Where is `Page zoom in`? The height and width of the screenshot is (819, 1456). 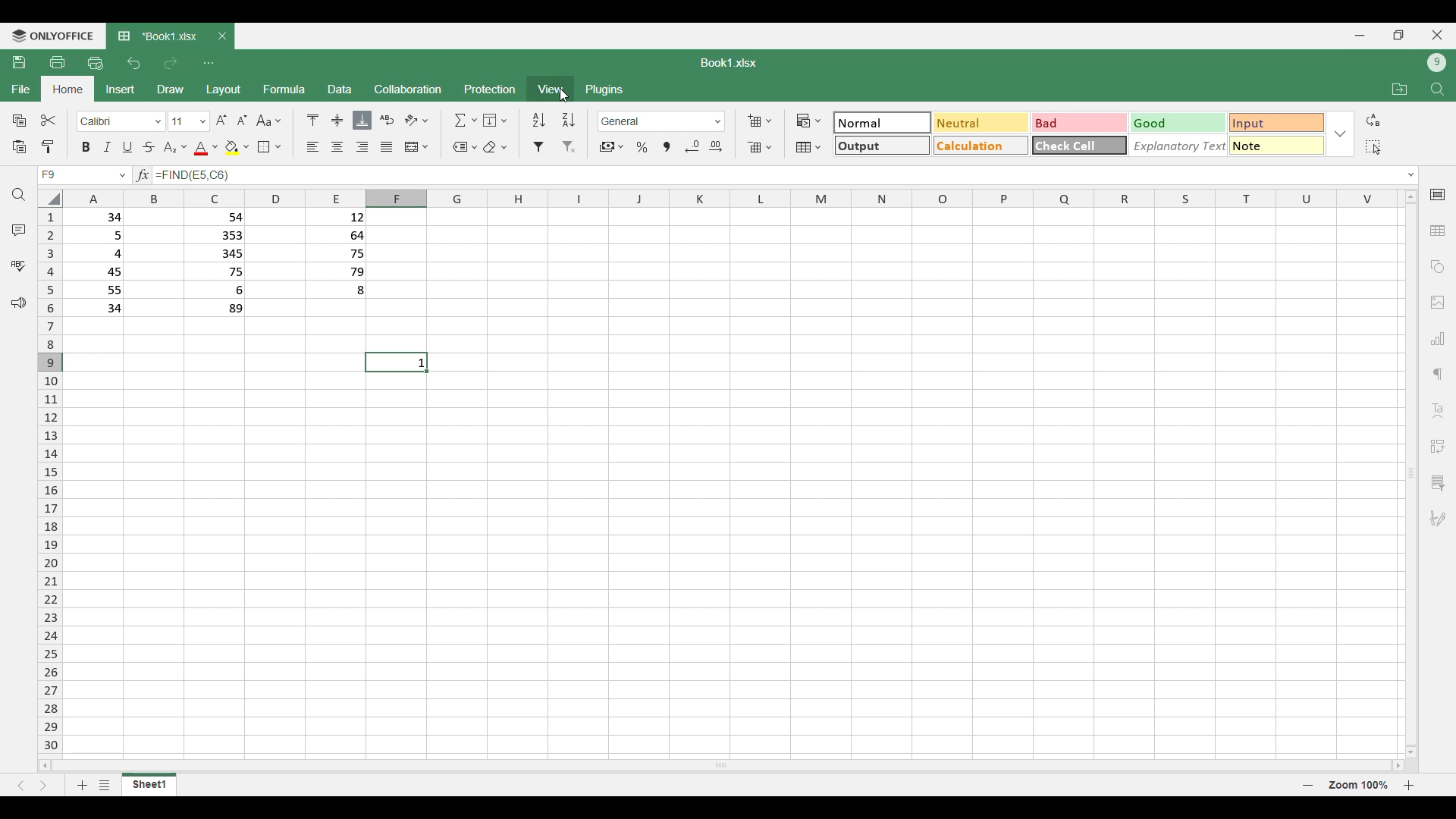 Page zoom in is located at coordinates (1409, 786).